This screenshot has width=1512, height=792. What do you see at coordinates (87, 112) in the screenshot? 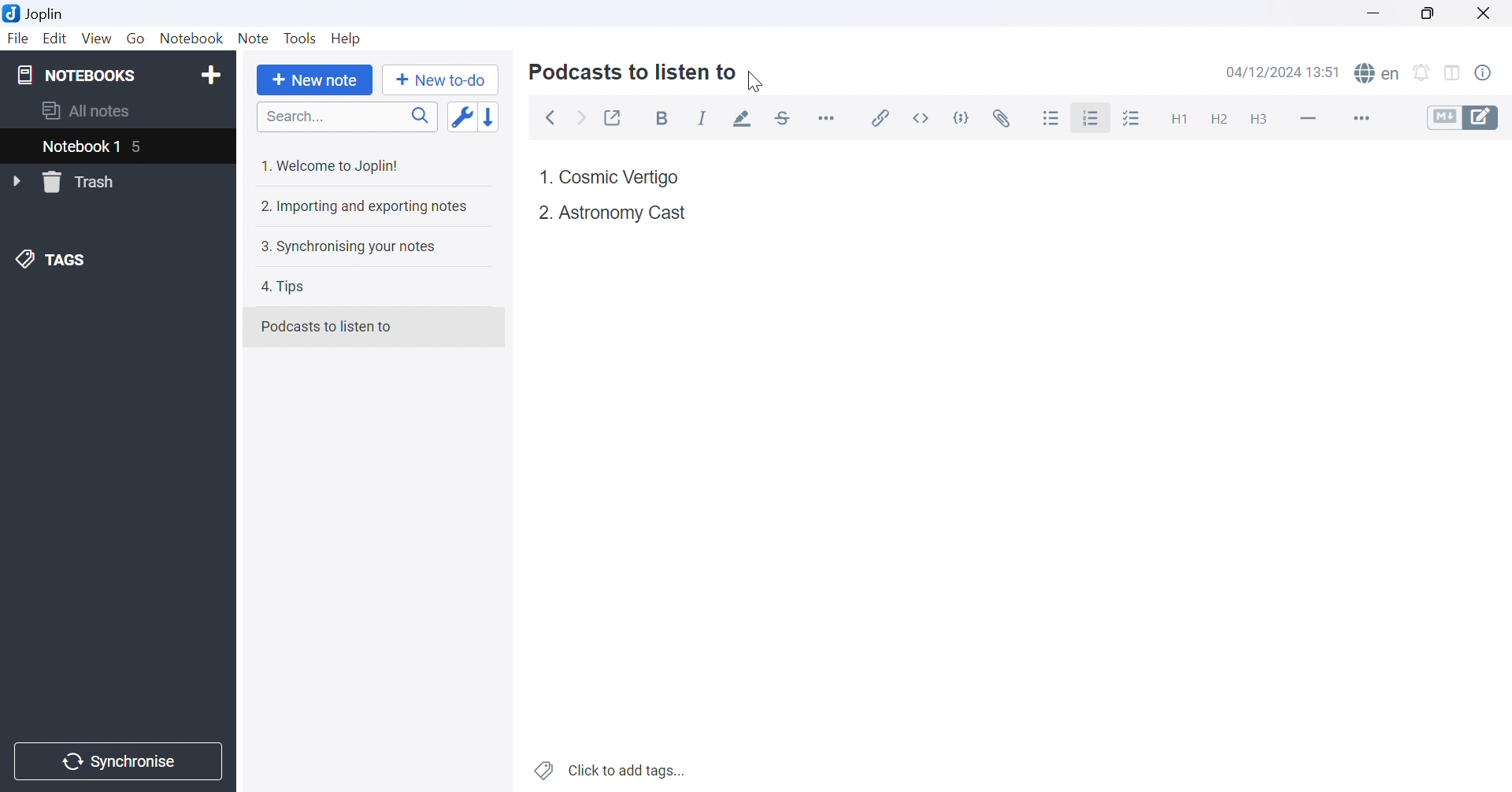
I see `All notes` at bounding box center [87, 112].